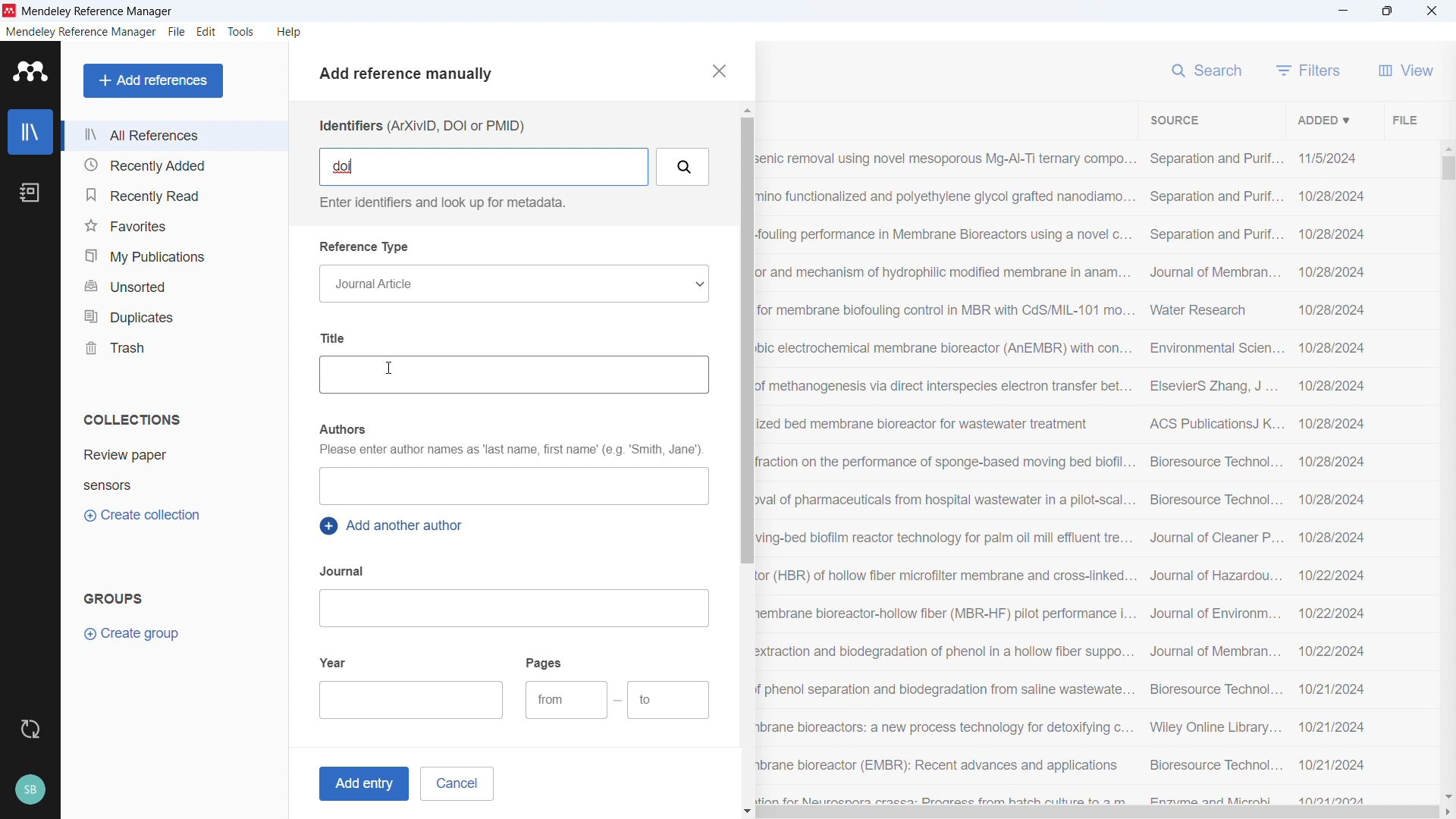  Describe the element at coordinates (154, 80) in the screenshot. I see `Add references ` at that location.